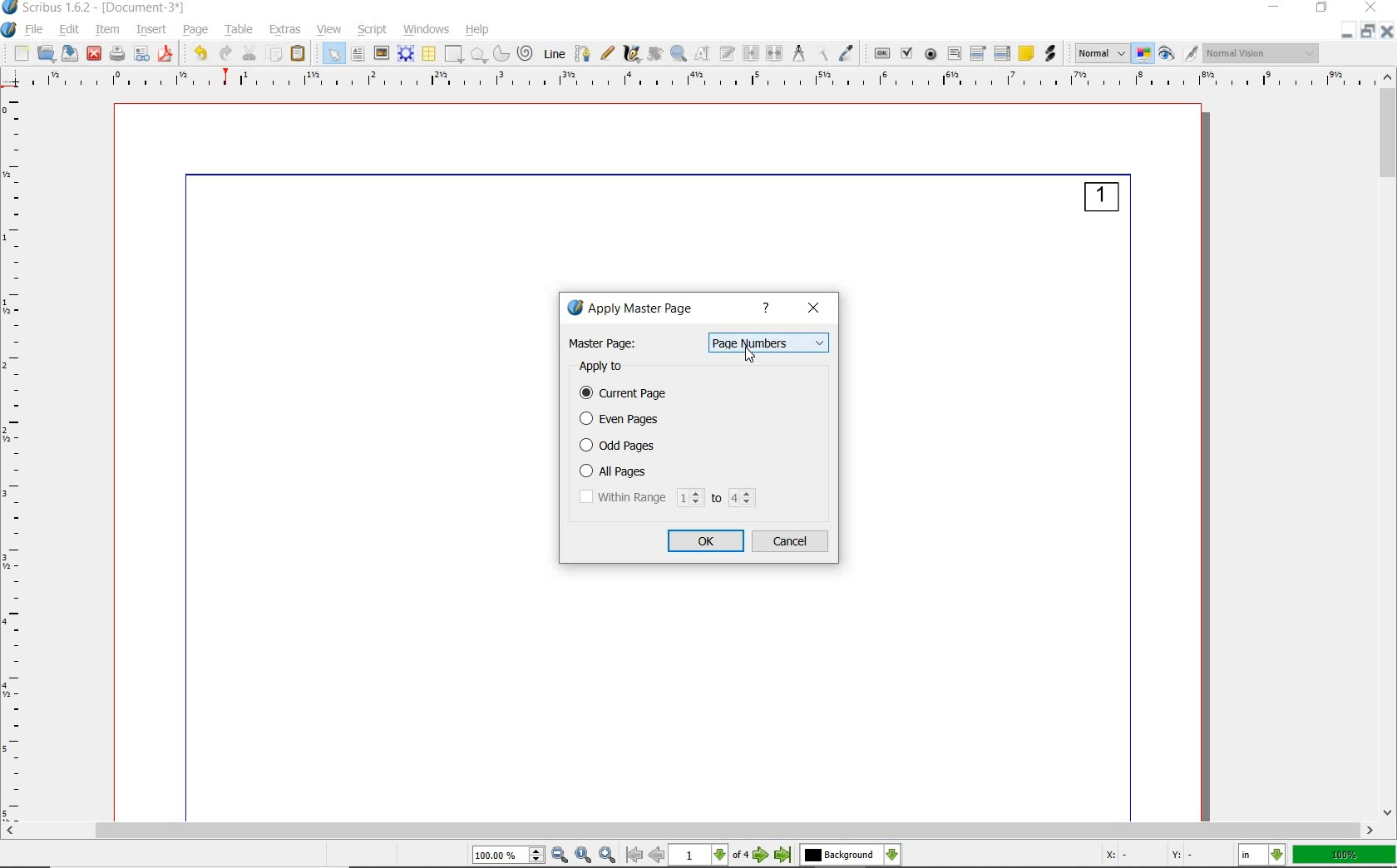  Describe the element at coordinates (605, 367) in the screenshot. I see `apply to` at that location.